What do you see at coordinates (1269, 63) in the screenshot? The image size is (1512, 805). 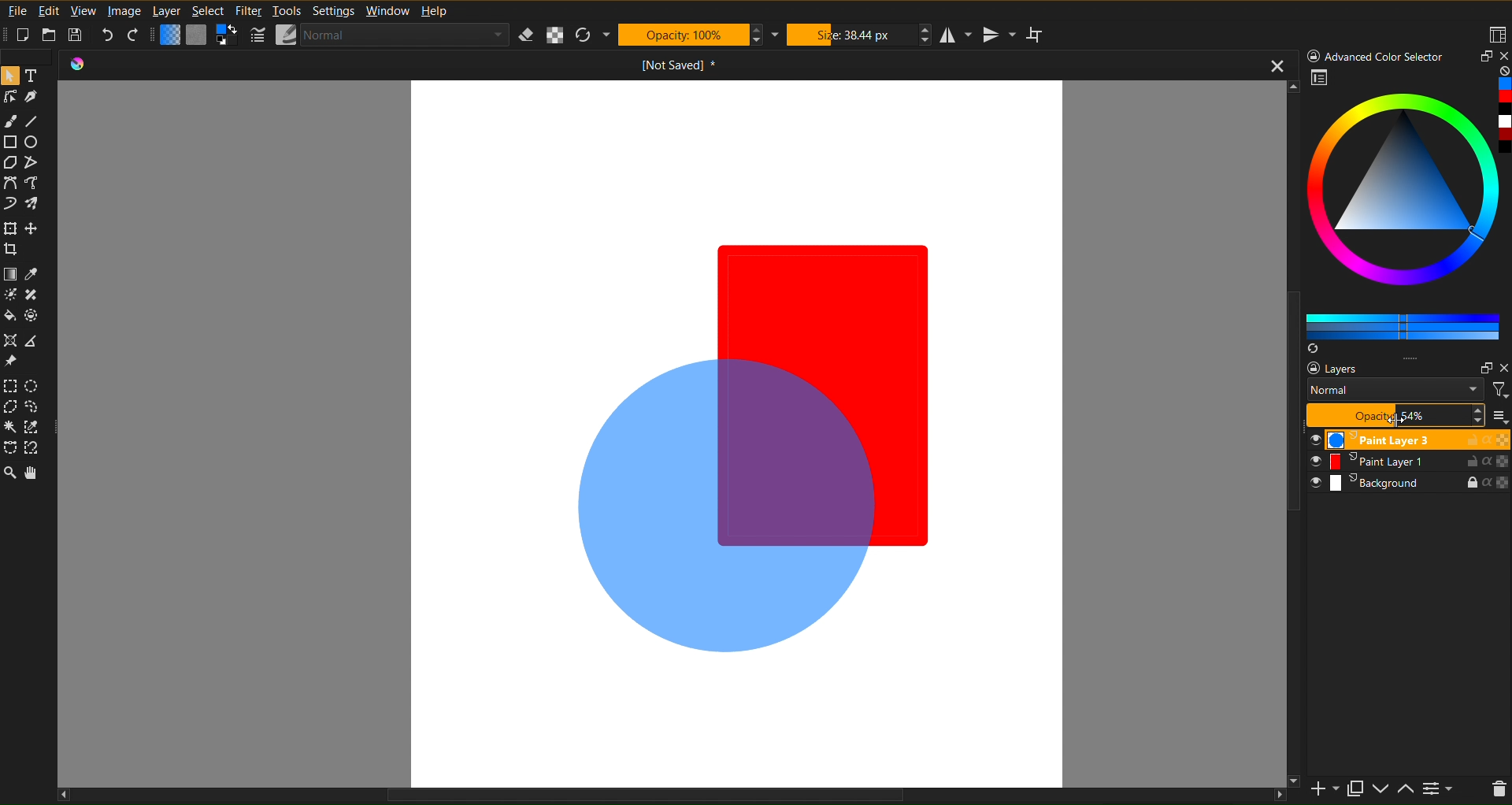 I see `close` at bounding box center [1269, 63].